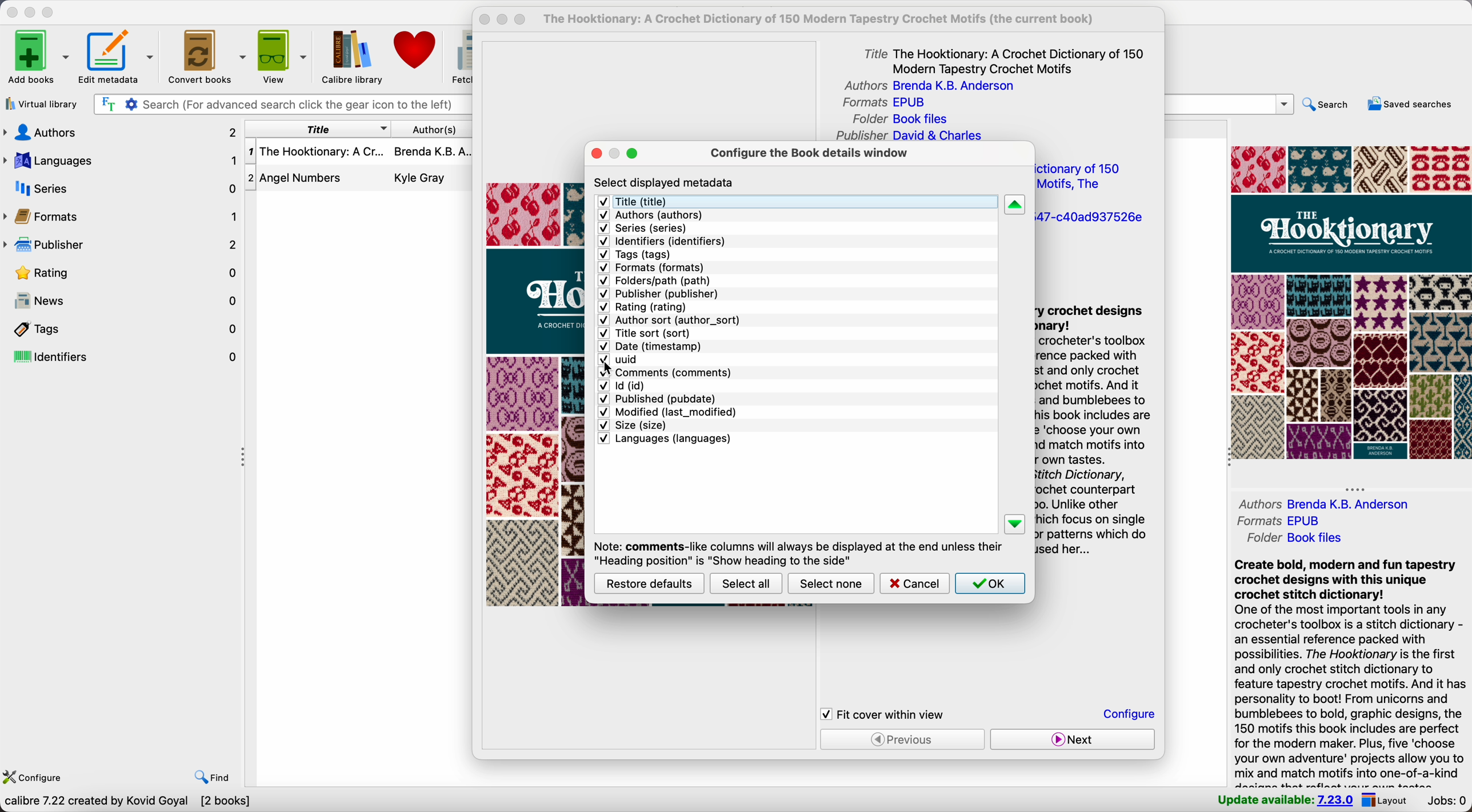  I want to click on previous, so click(903, 739).